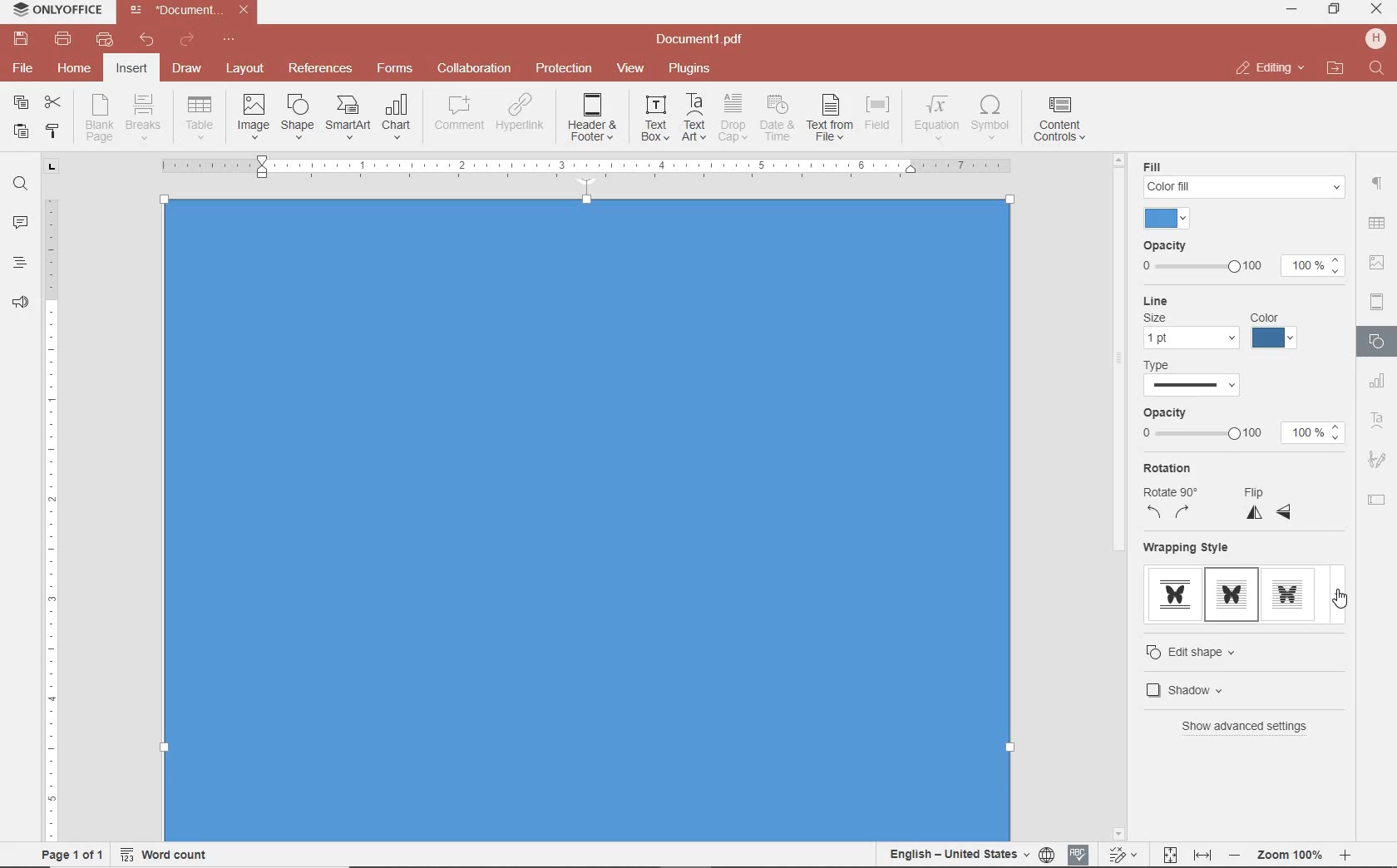  I want to click on home, so click(72, 67).